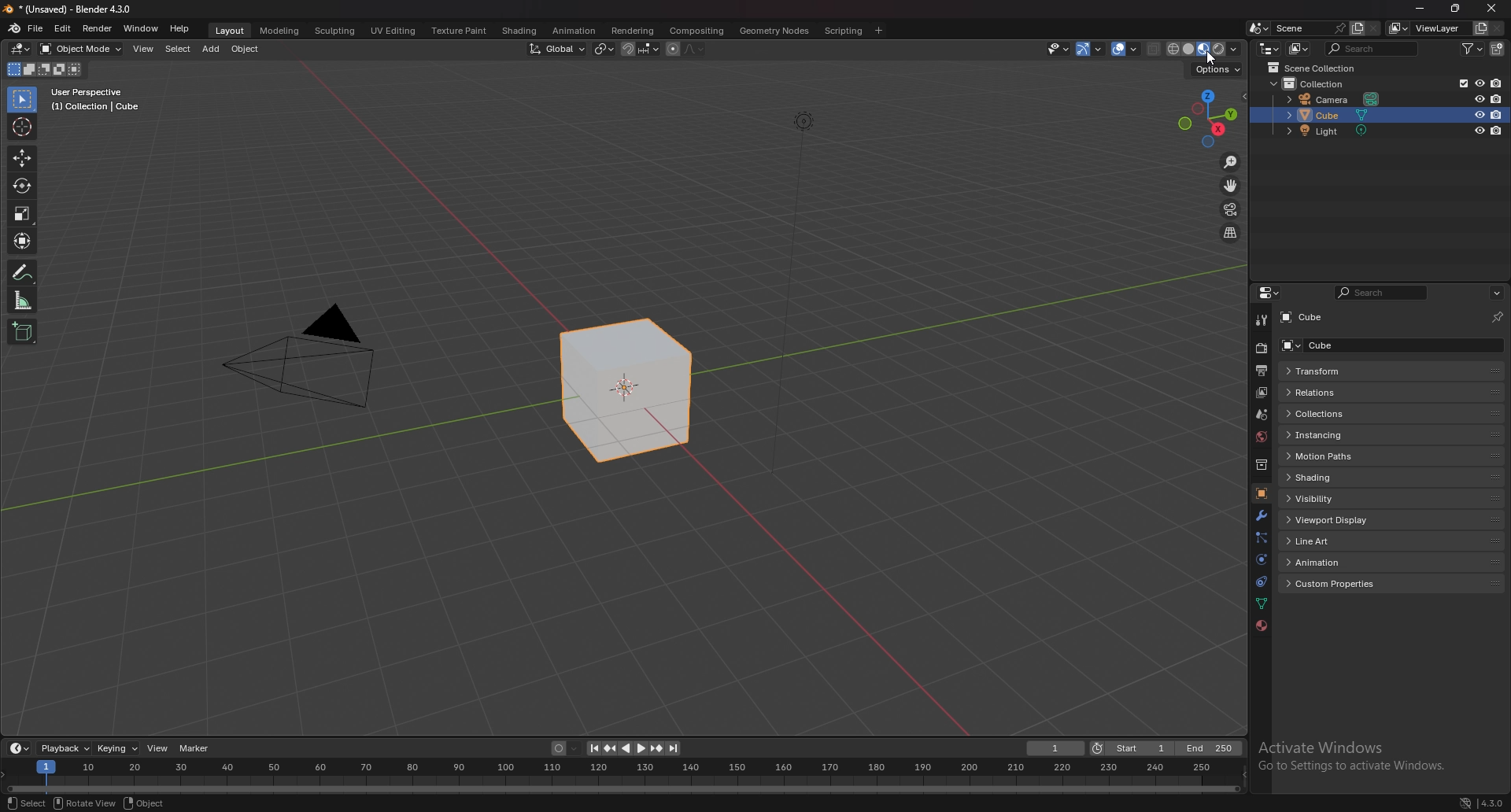 The image size is (1511, 812). I want to click on view, so click(158, 748).